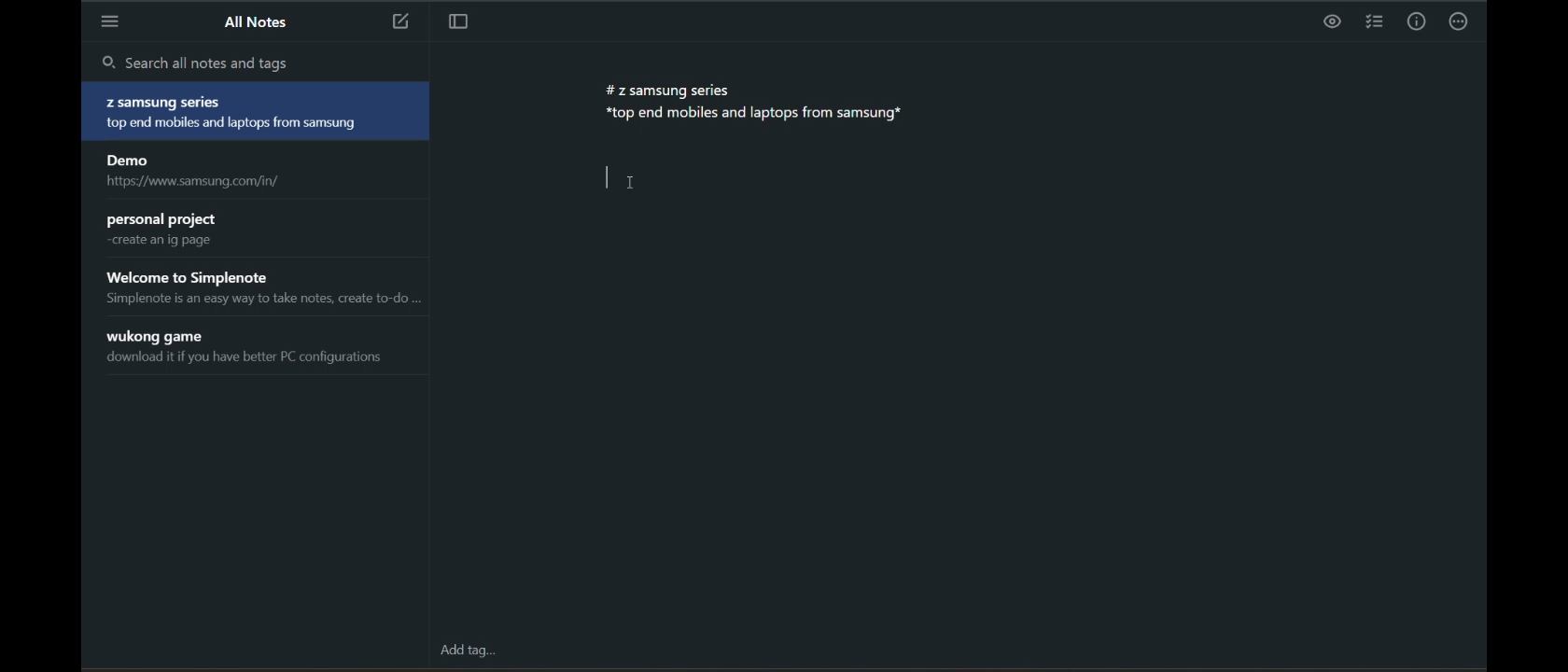  What do you see at coordinates (263, 63) in the screenshot?
I see `search all notes and tags` at bounding box center [263, 63].